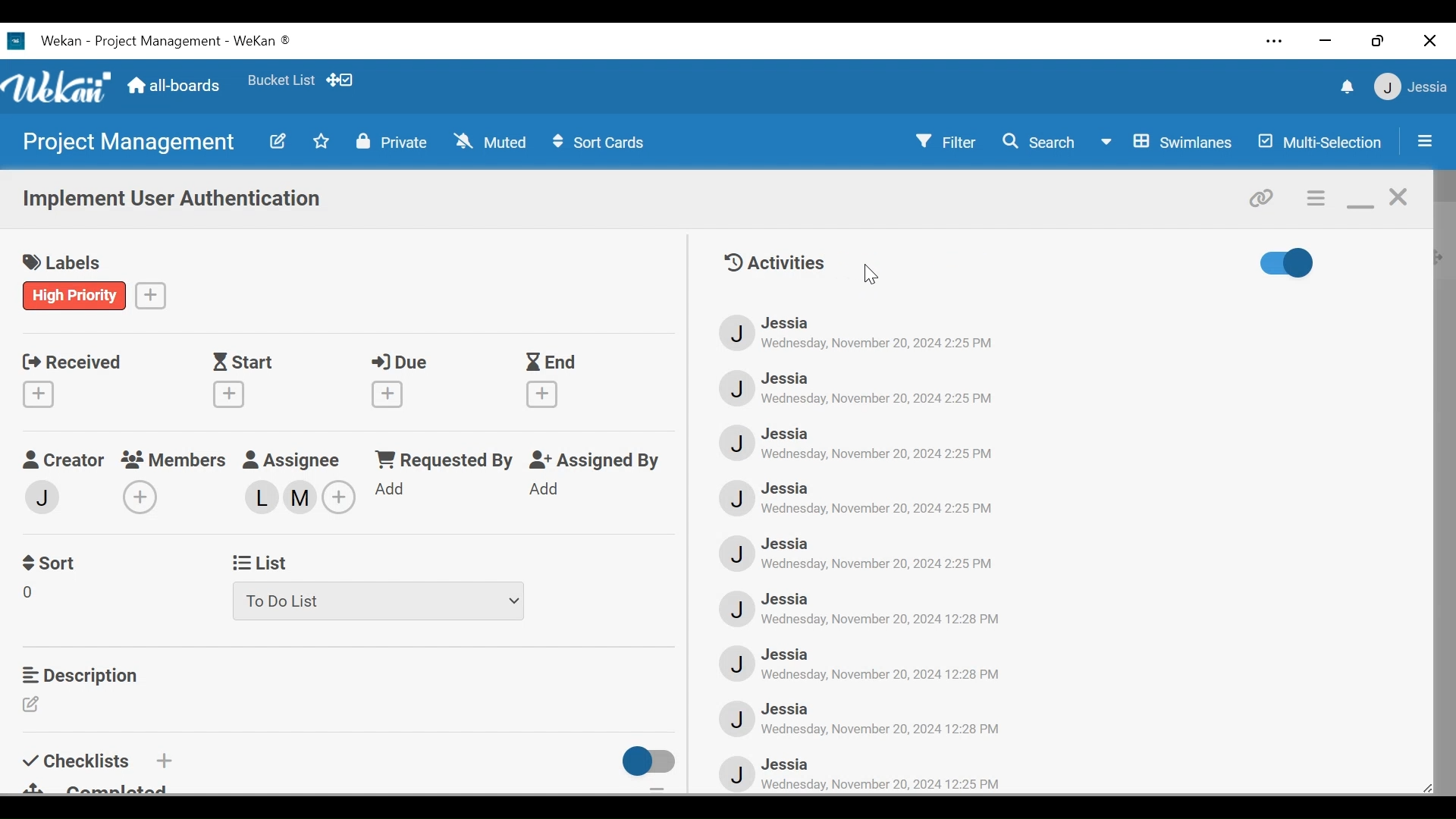 The image size is (1456, 819). Describe the element at coordinates (1429, 42) in the screenshot. I see `close` at that location.